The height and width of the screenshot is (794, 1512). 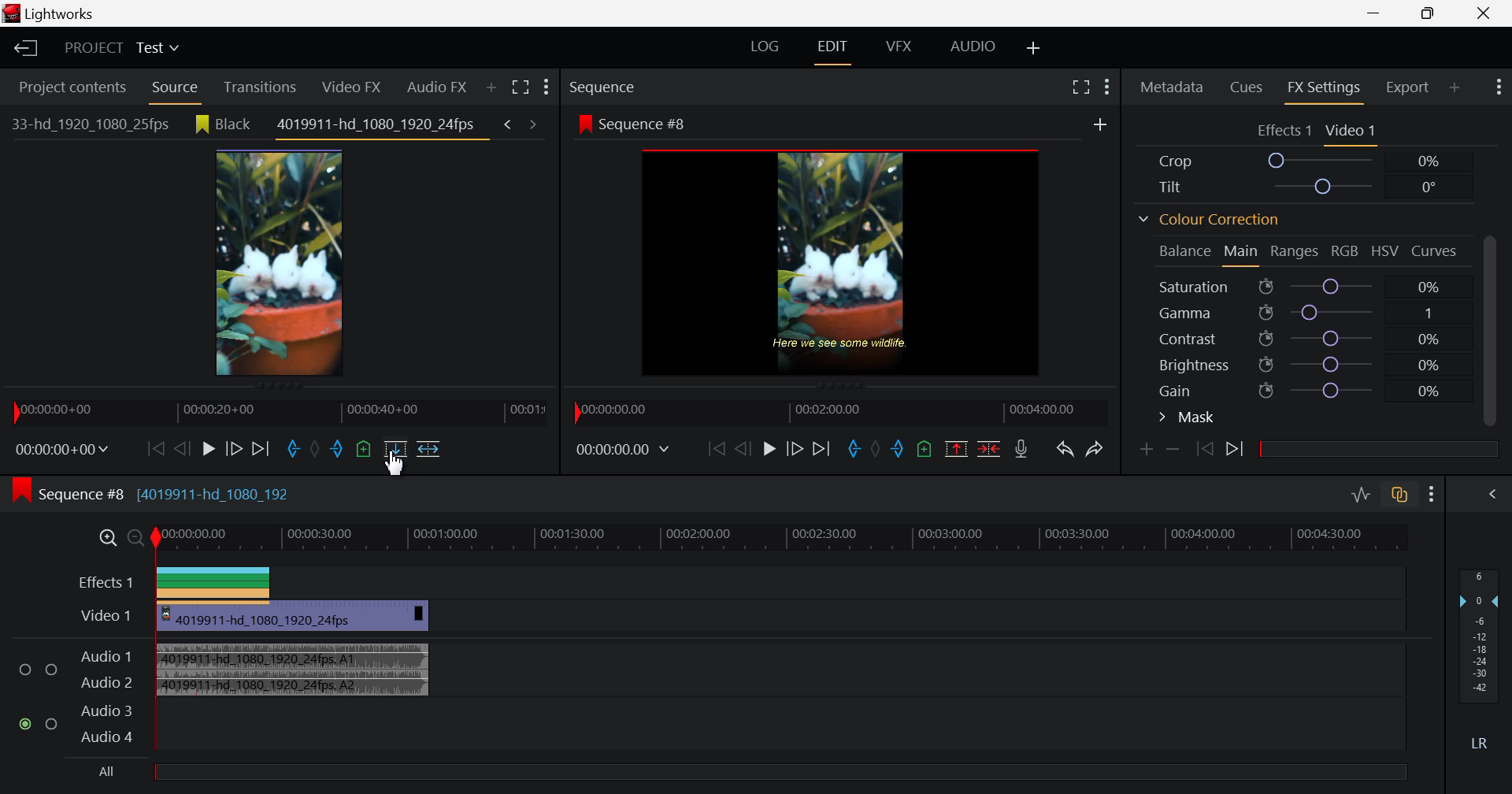 What do you see at coordinates (1307, 313) in the screenshot?
I see `Gamma` at bounding box center [1307, 313].